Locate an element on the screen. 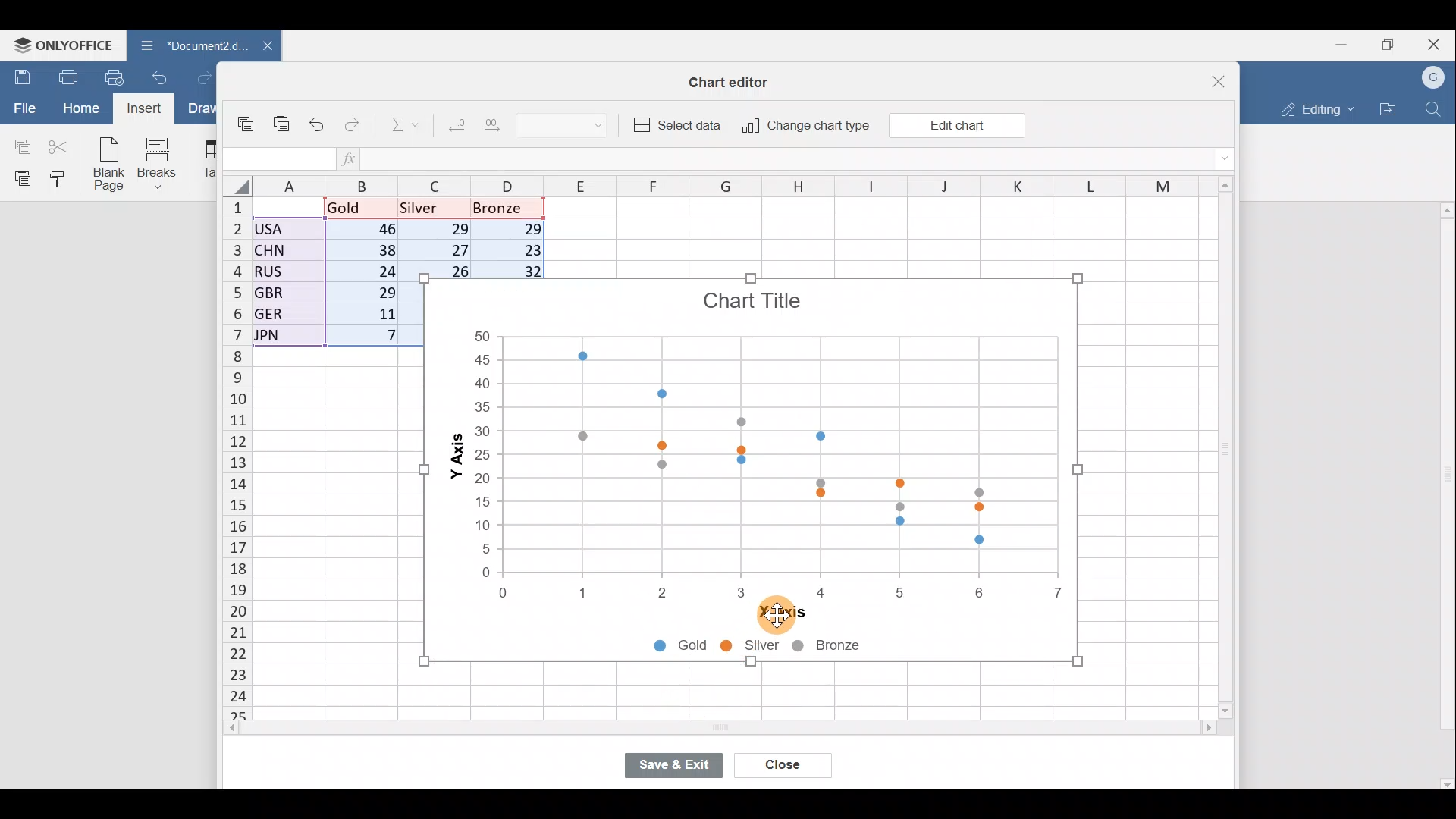 This screenshot has height=819, width=1456. Open file location is located at coordinates (1389, 108).